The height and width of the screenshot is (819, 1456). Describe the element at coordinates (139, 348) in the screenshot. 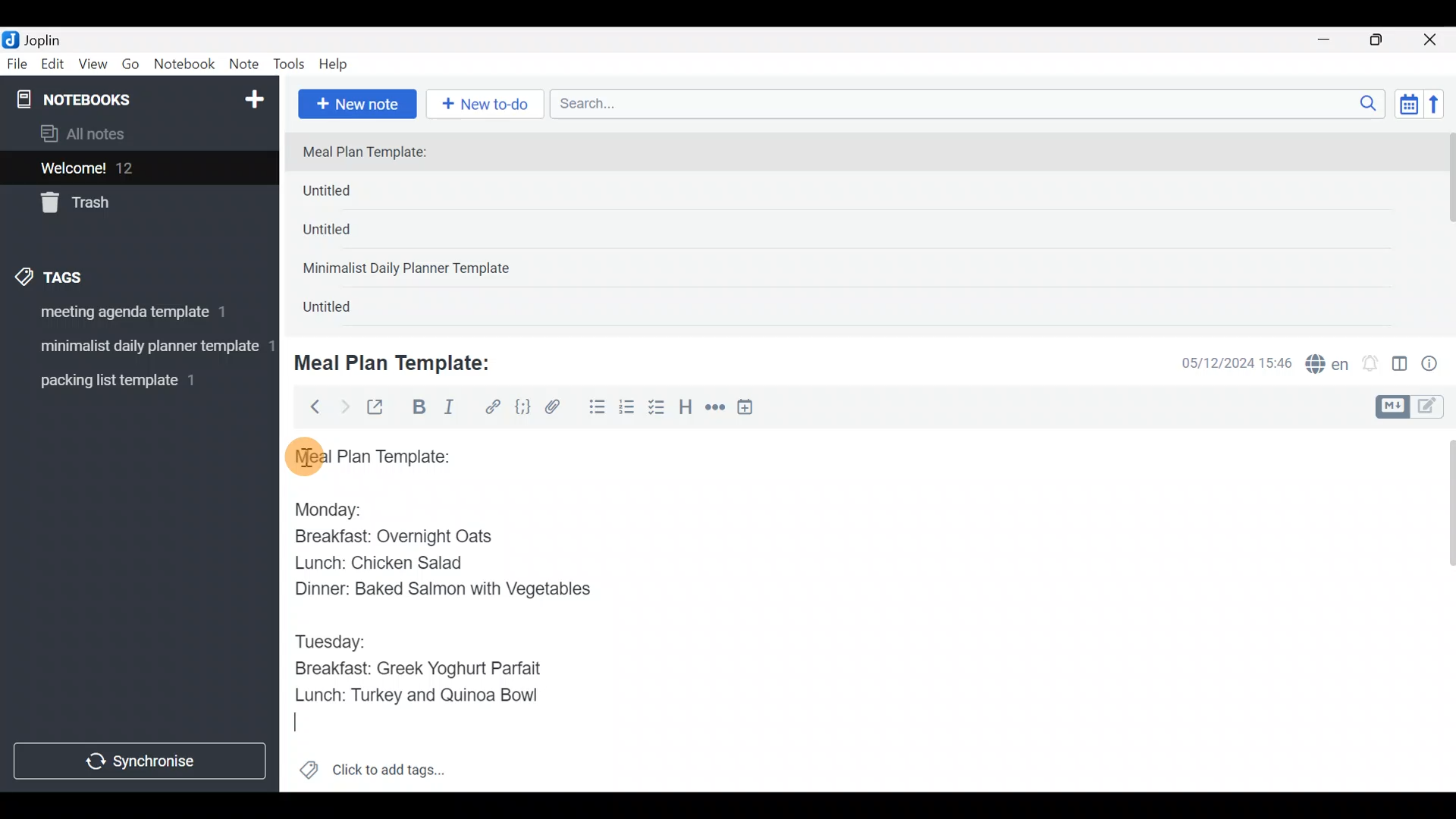

I see `Tag 2` at that location.